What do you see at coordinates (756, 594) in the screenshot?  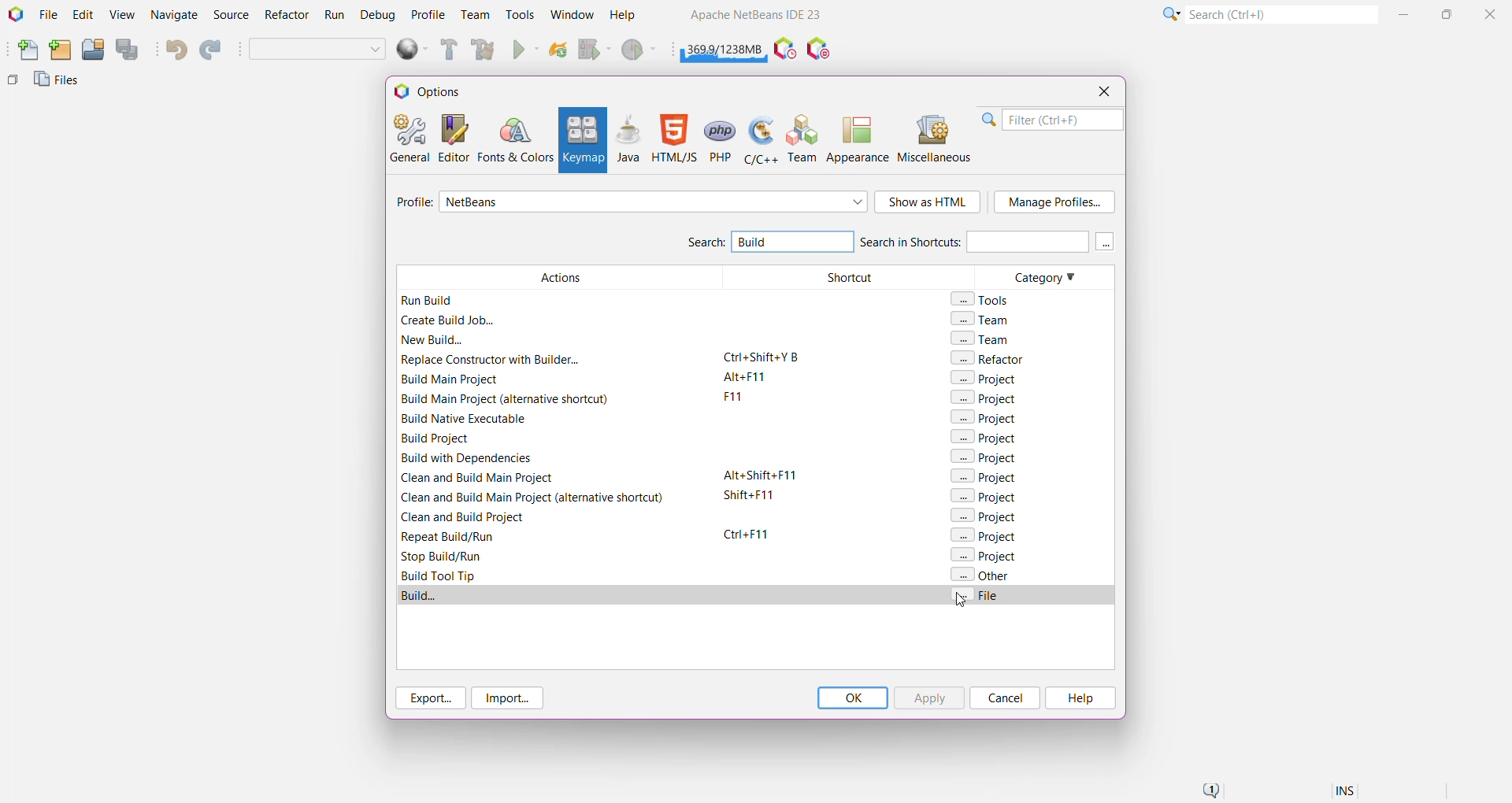 I see `Searched Action displayed in the list ` at bounding box center [756, 594].